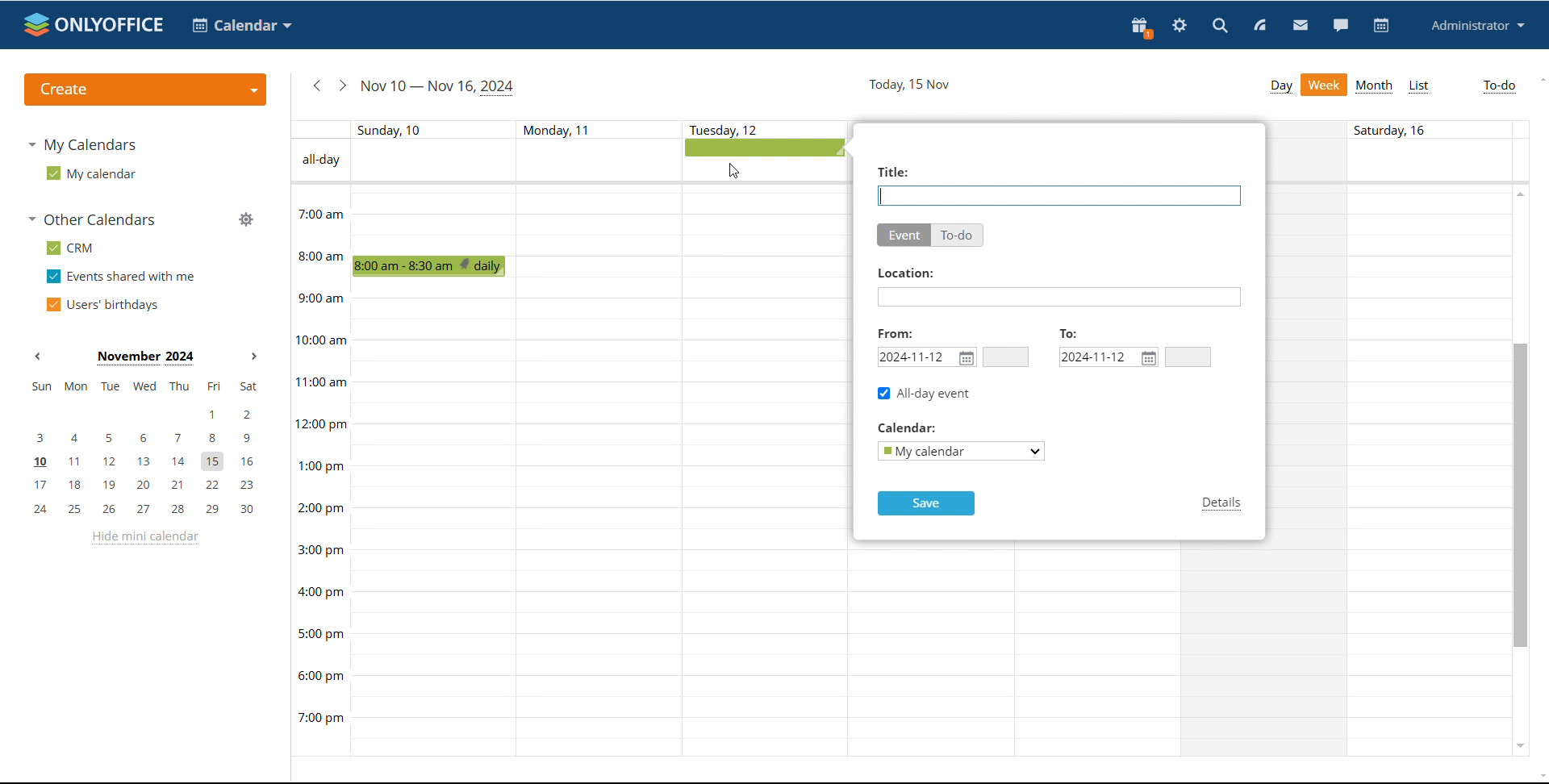  What do you see at coordinates (144, 387) in the screenshot?
I see `mon, tue, wed, thu, fri, sat, sun` at bounding box center [144, 387].